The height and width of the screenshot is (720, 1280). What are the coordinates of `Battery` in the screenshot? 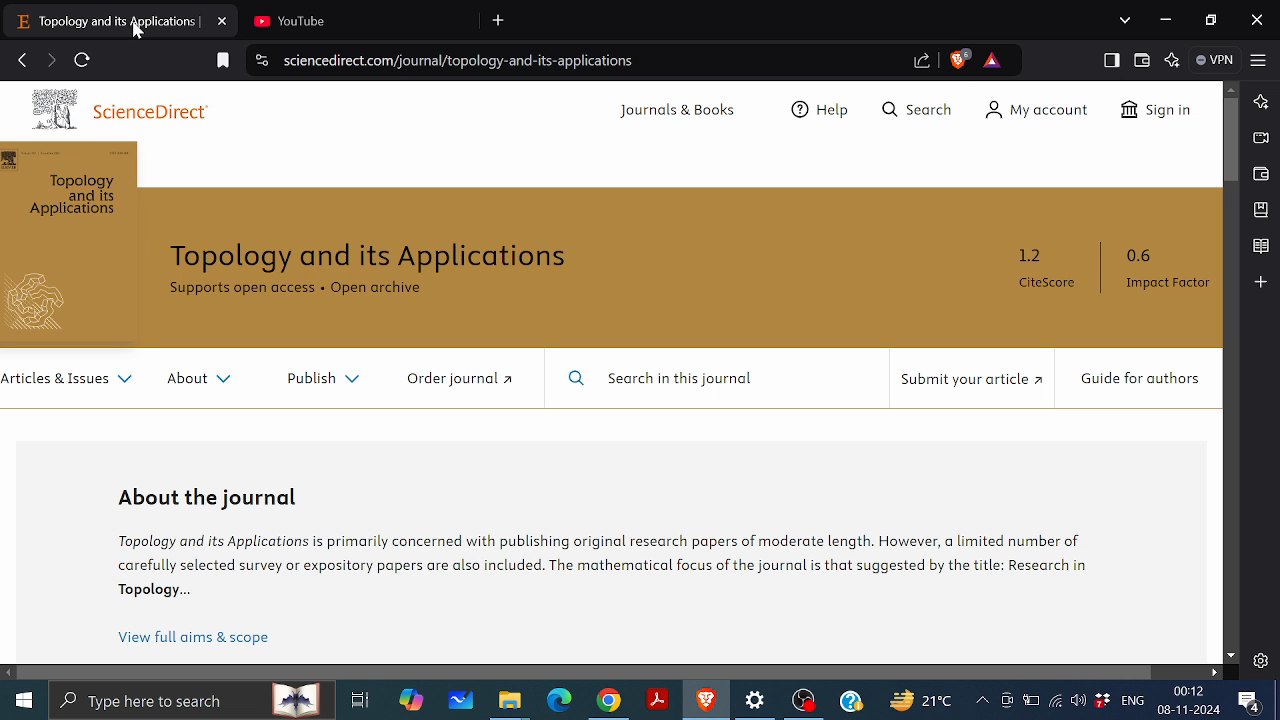 It's located at (1031, 699).